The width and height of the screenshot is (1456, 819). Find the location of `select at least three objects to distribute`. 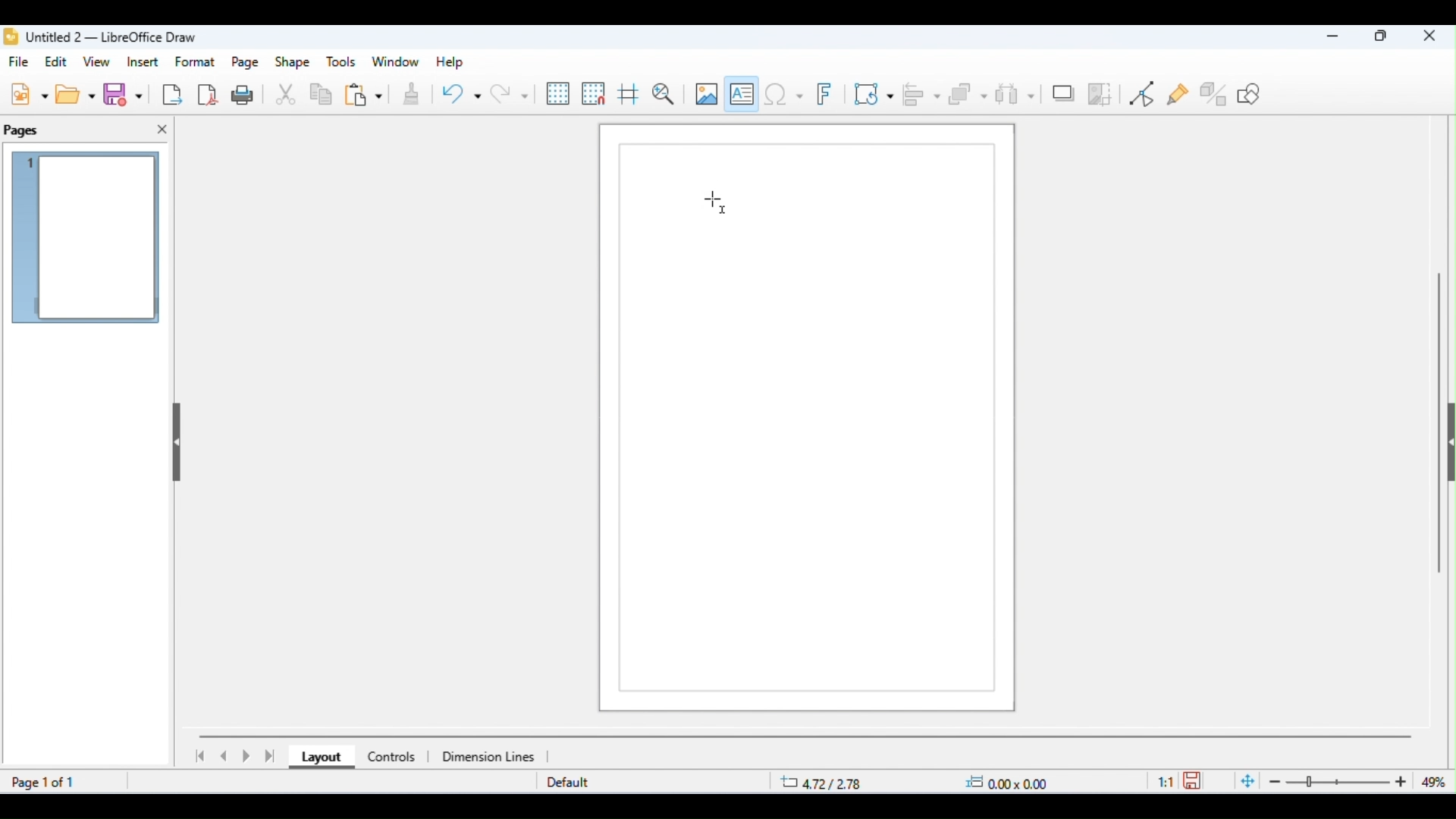

select at least three objects to distribute is located at coordinates (1015, 93).